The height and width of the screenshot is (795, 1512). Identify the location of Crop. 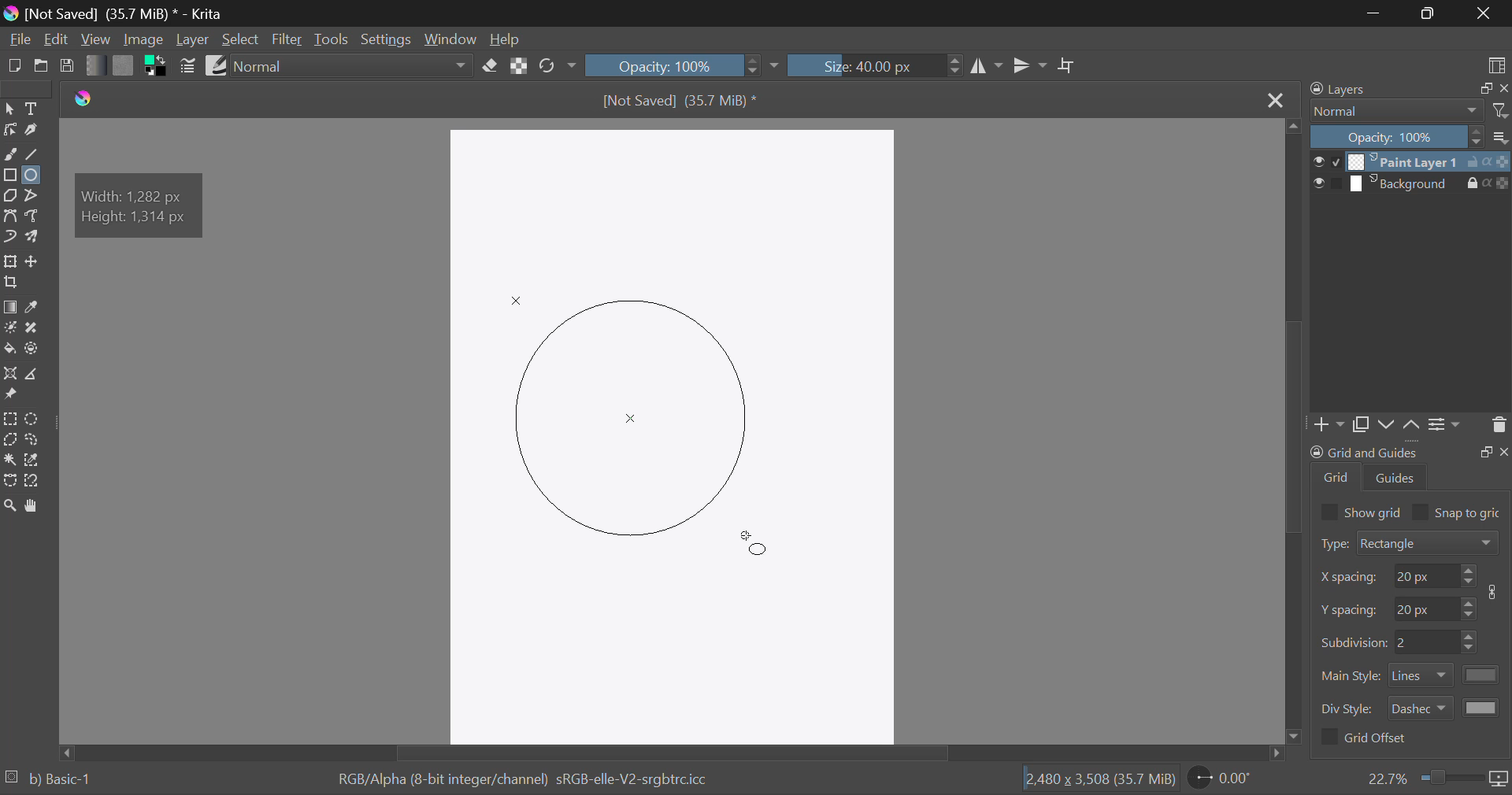
(1068, 66).